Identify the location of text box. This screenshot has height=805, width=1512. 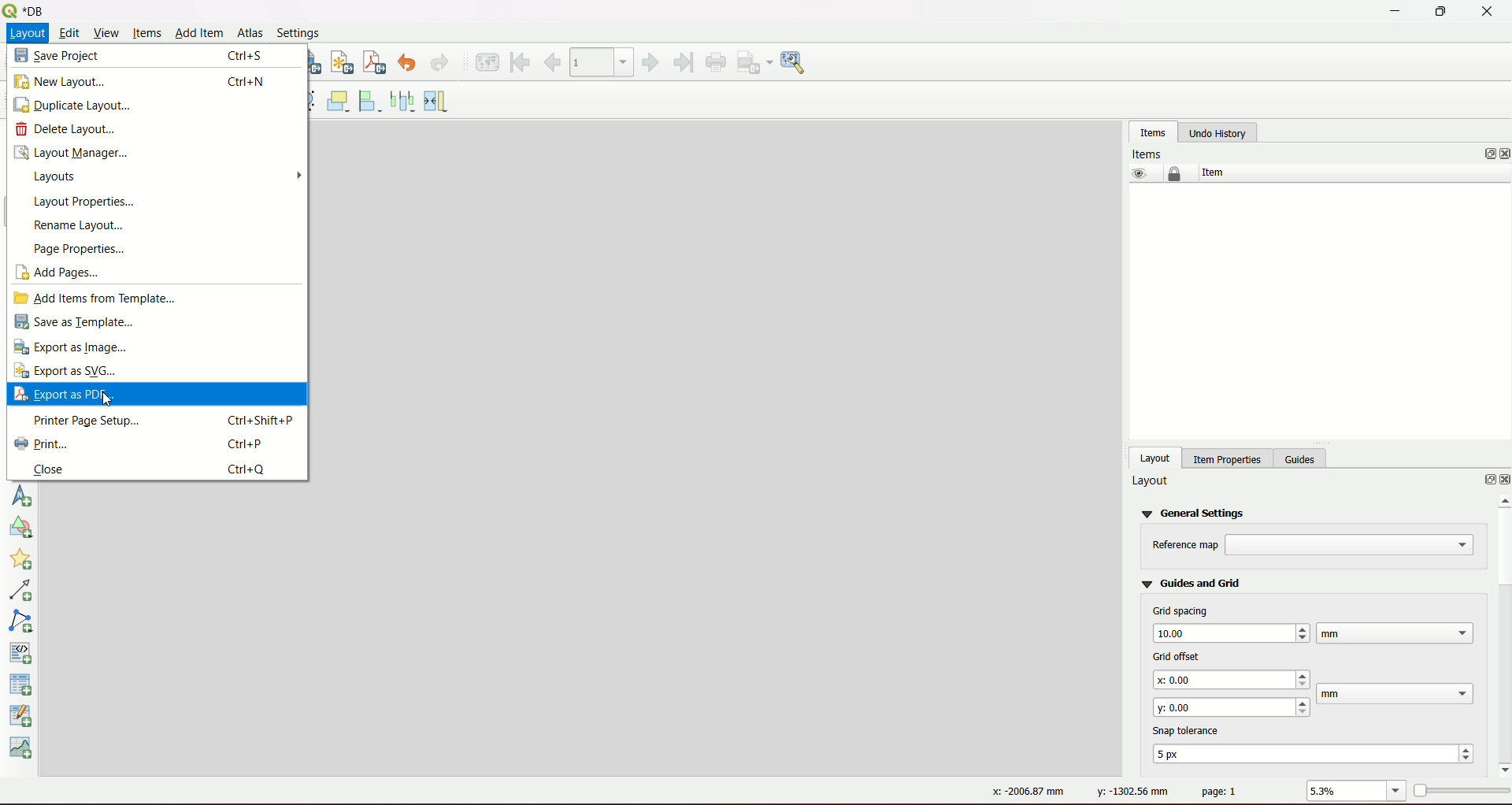
(1397, 694).